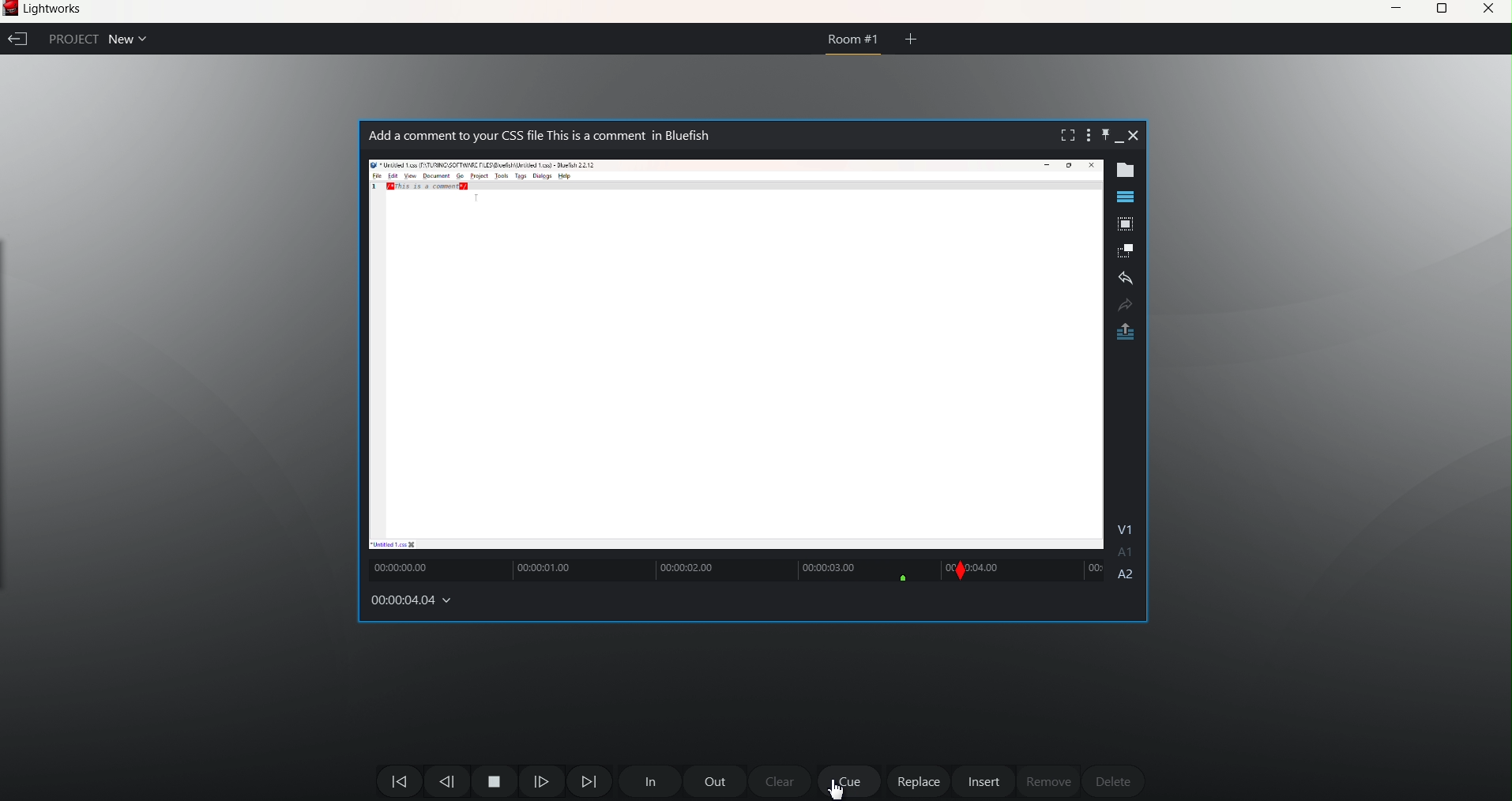  I want to click on delete, so click(1111, 778).